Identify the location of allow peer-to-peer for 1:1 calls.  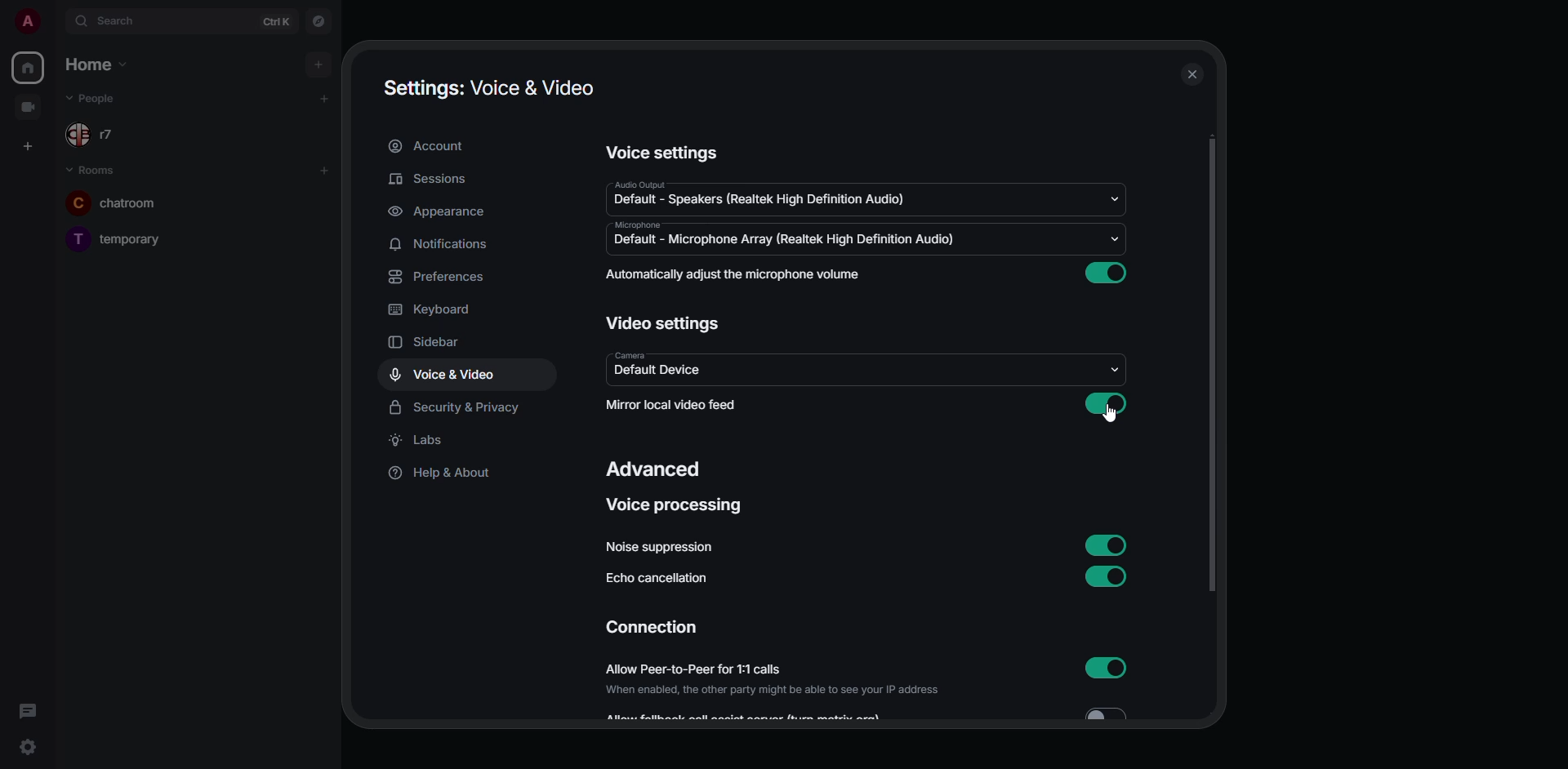
(775, 679).